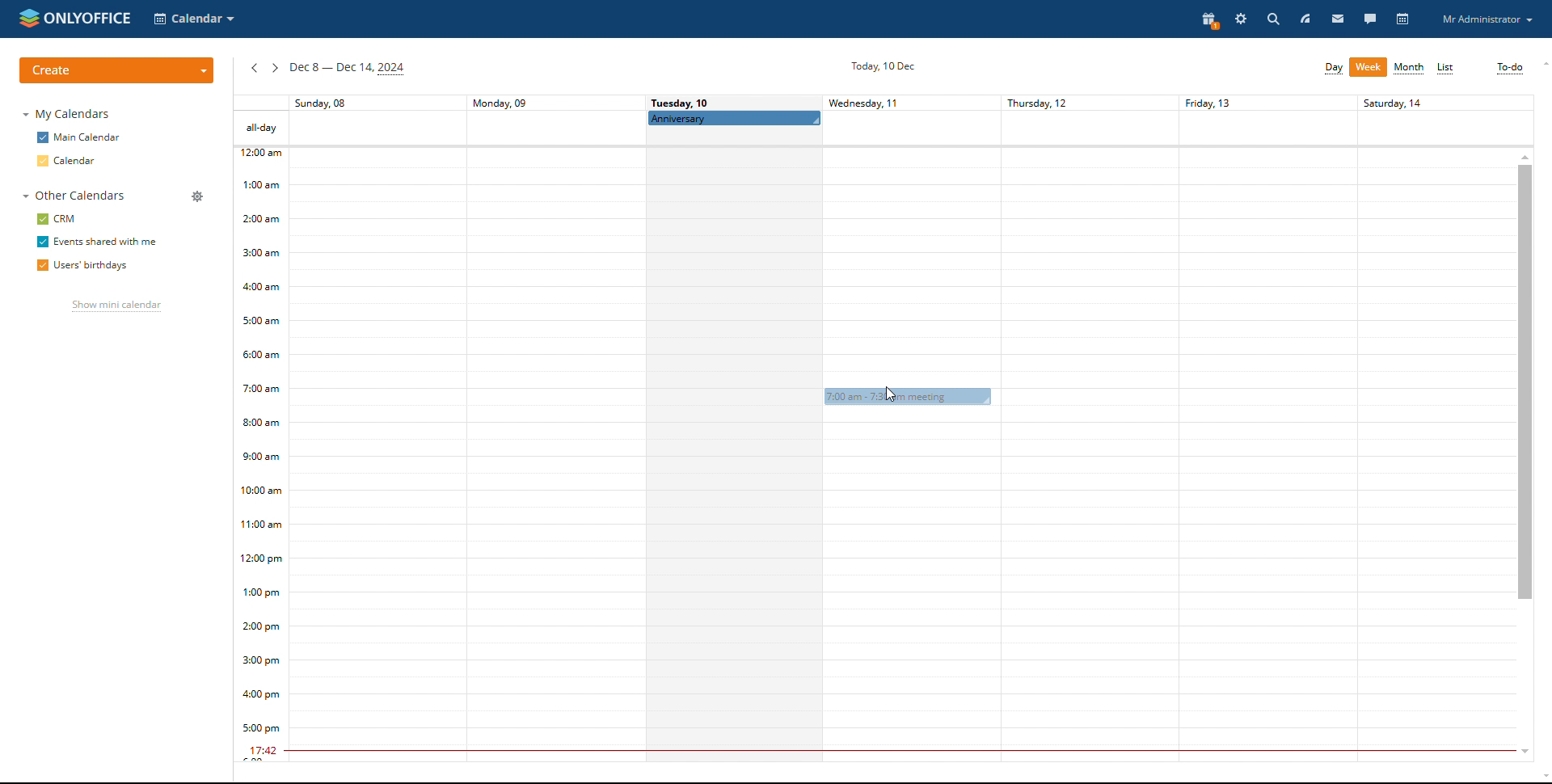 This screenshot has width=1552, height=784. What do you see at coordinates (1369, 67) in the screenshot?
I see `week view` at bounding box center [1369, 67].